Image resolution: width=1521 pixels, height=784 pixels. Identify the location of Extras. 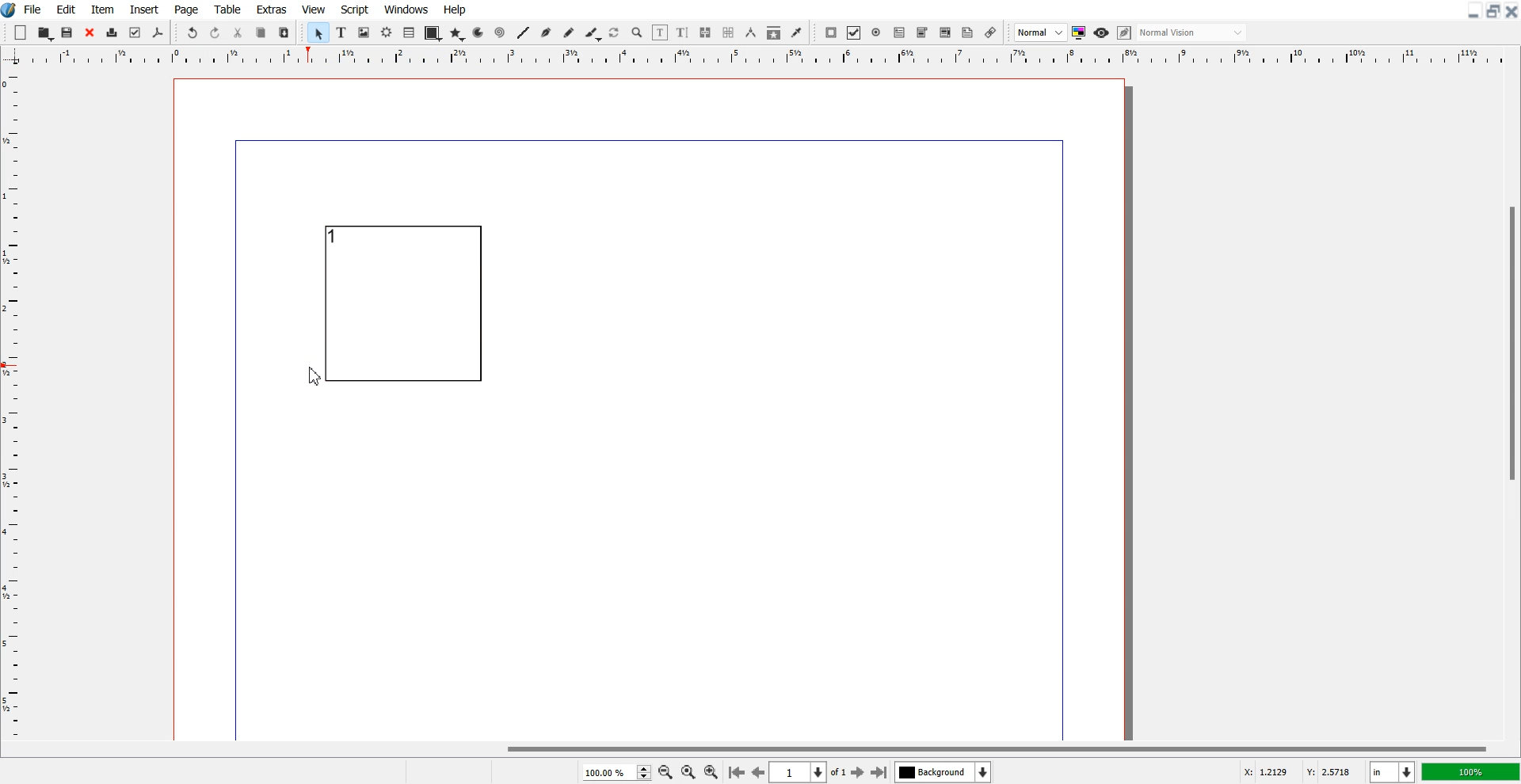
(272, 9).